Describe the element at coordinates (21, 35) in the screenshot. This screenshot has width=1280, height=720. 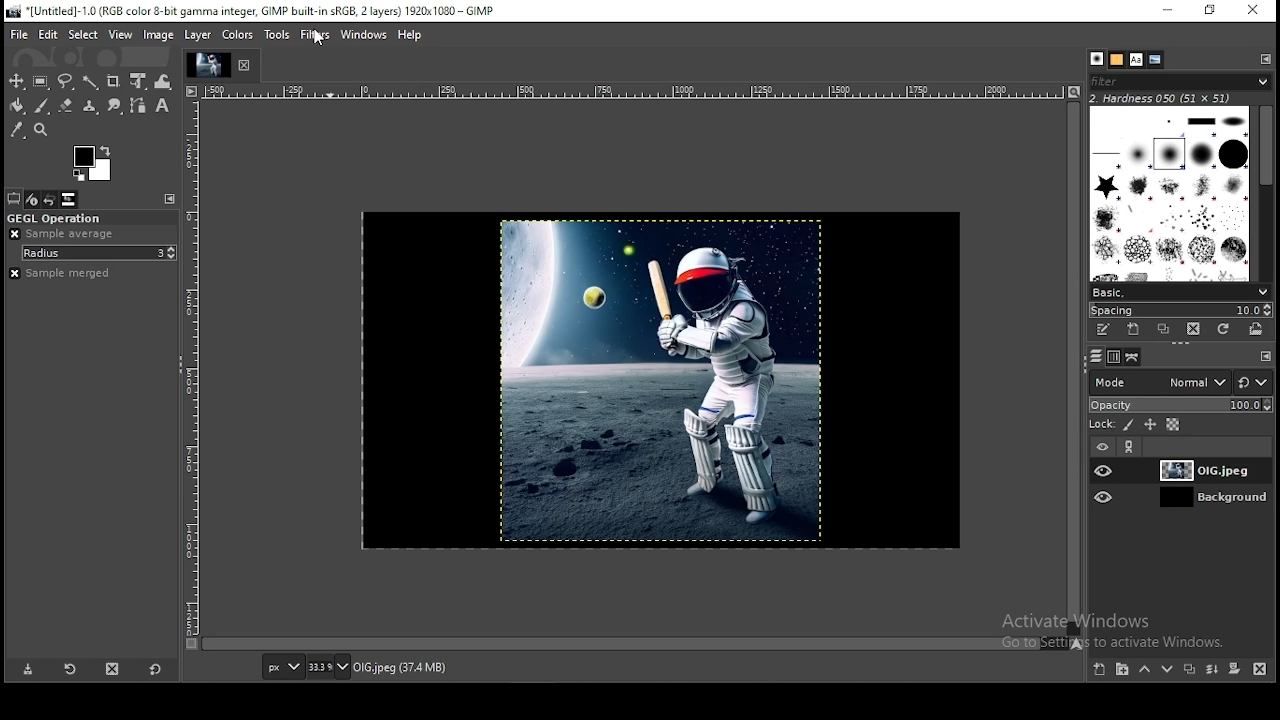
I see `file` at that location.